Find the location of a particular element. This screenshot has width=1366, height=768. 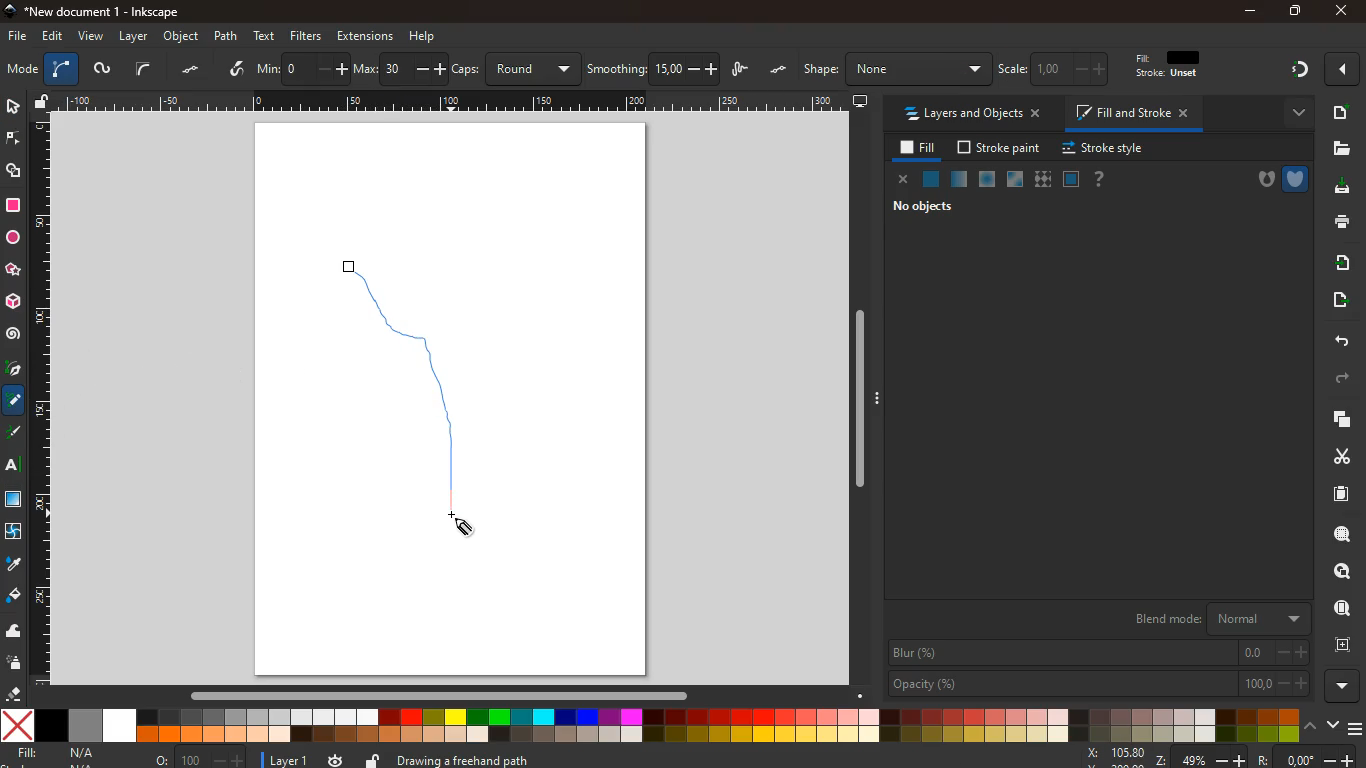

screen is located at coordinates (861, 100).